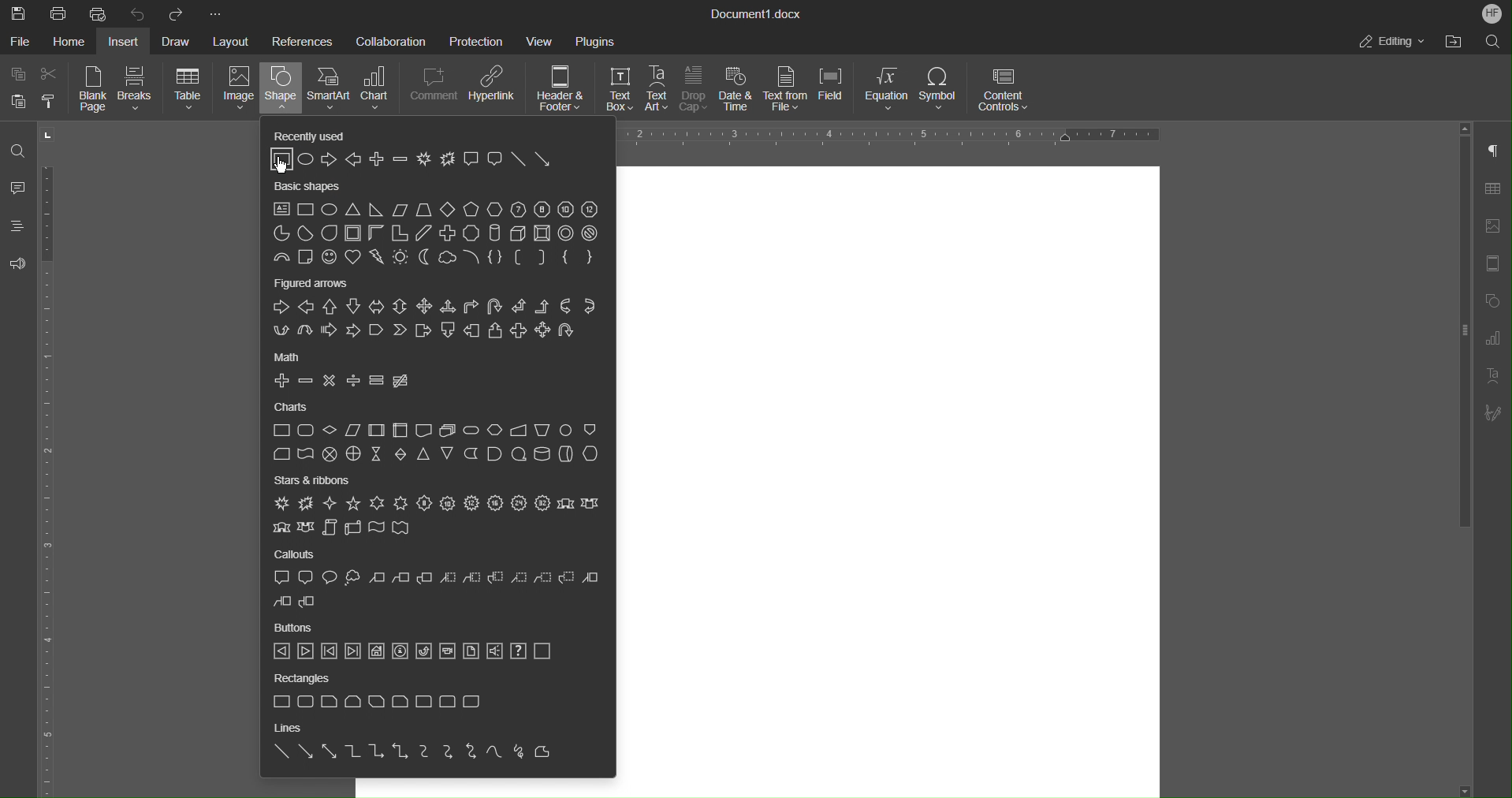  What do you see at coordinates (180, 40) in the screenshot?
I see `Draw` at bounding box center [180, 40].